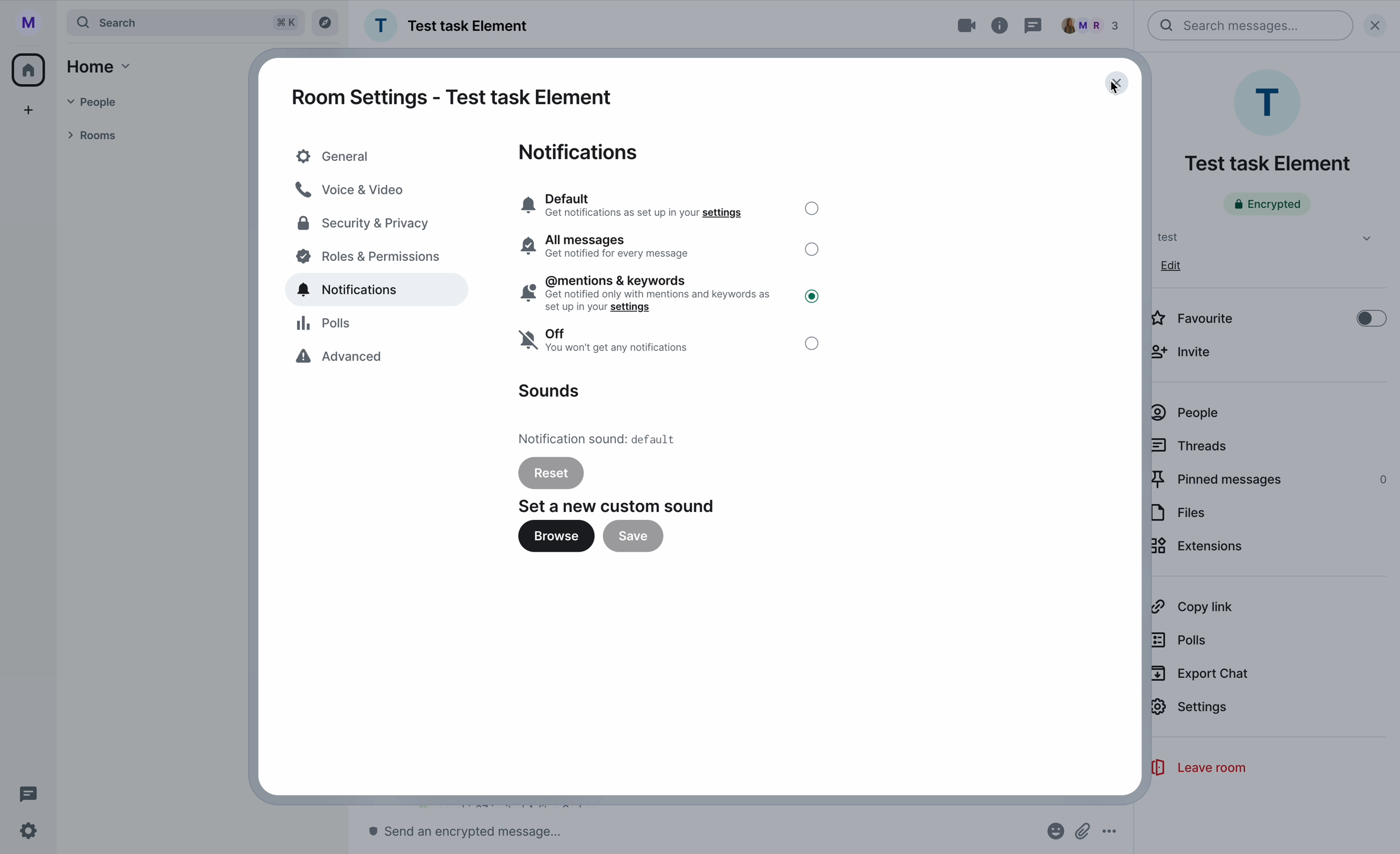 The height and width of the screenshot is (854, 1400). What do you see at coordinates (1267, 204) in the screenshot?
I see `encrypted` at bounding box center [1267, 204].